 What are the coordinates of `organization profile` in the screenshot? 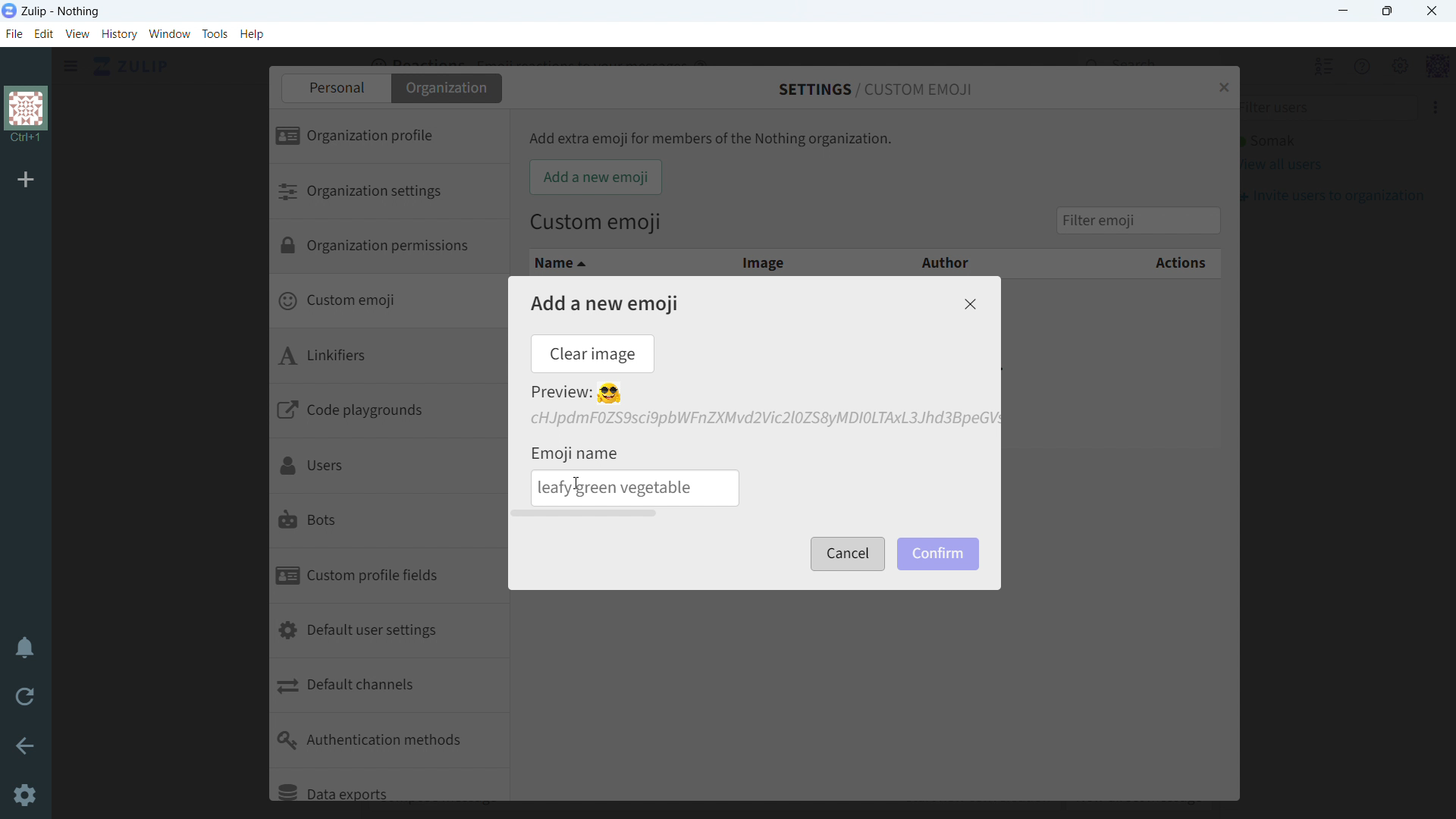 It's located at (388, 137).